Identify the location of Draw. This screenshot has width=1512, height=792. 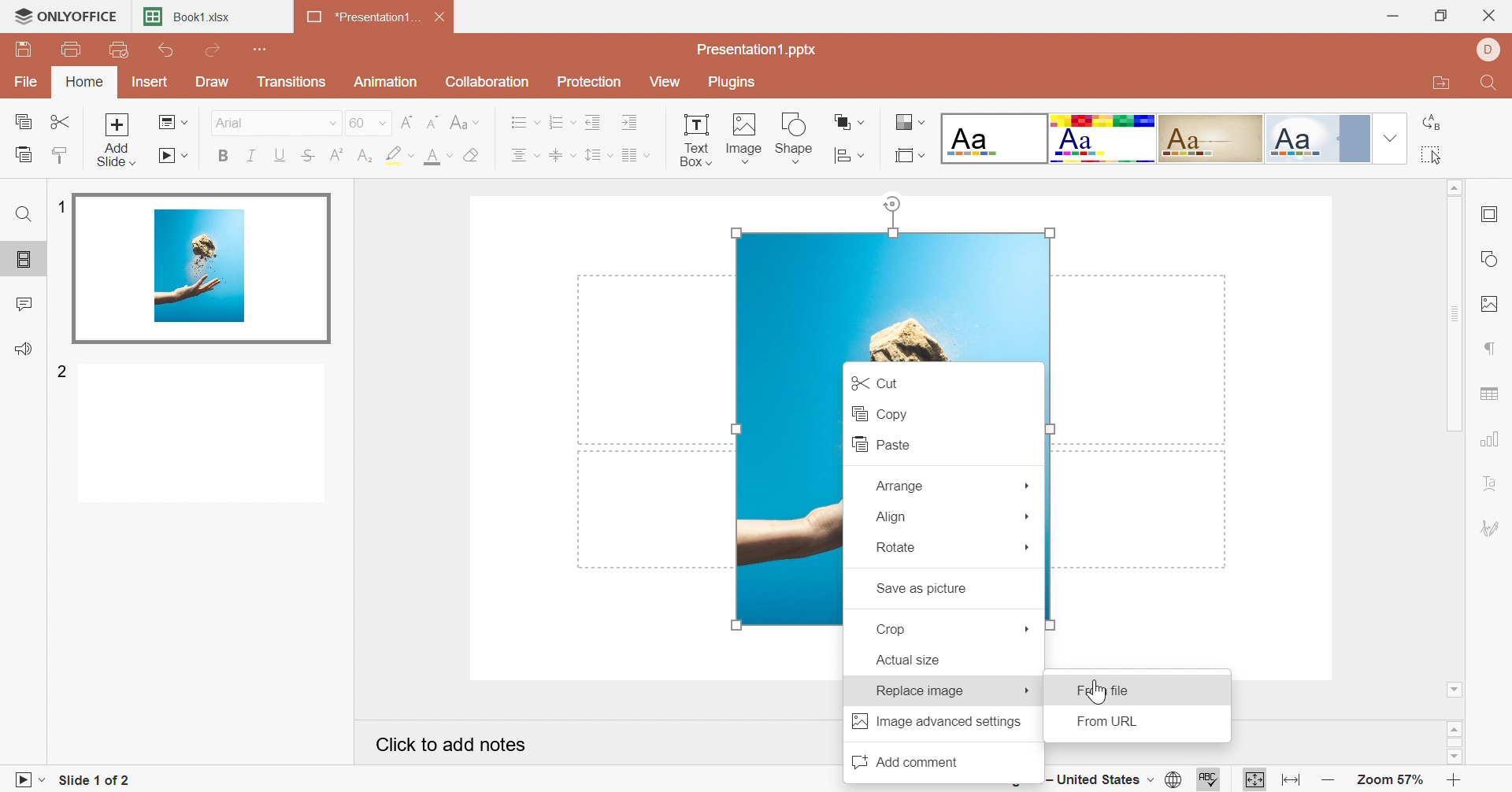
(215, 82).